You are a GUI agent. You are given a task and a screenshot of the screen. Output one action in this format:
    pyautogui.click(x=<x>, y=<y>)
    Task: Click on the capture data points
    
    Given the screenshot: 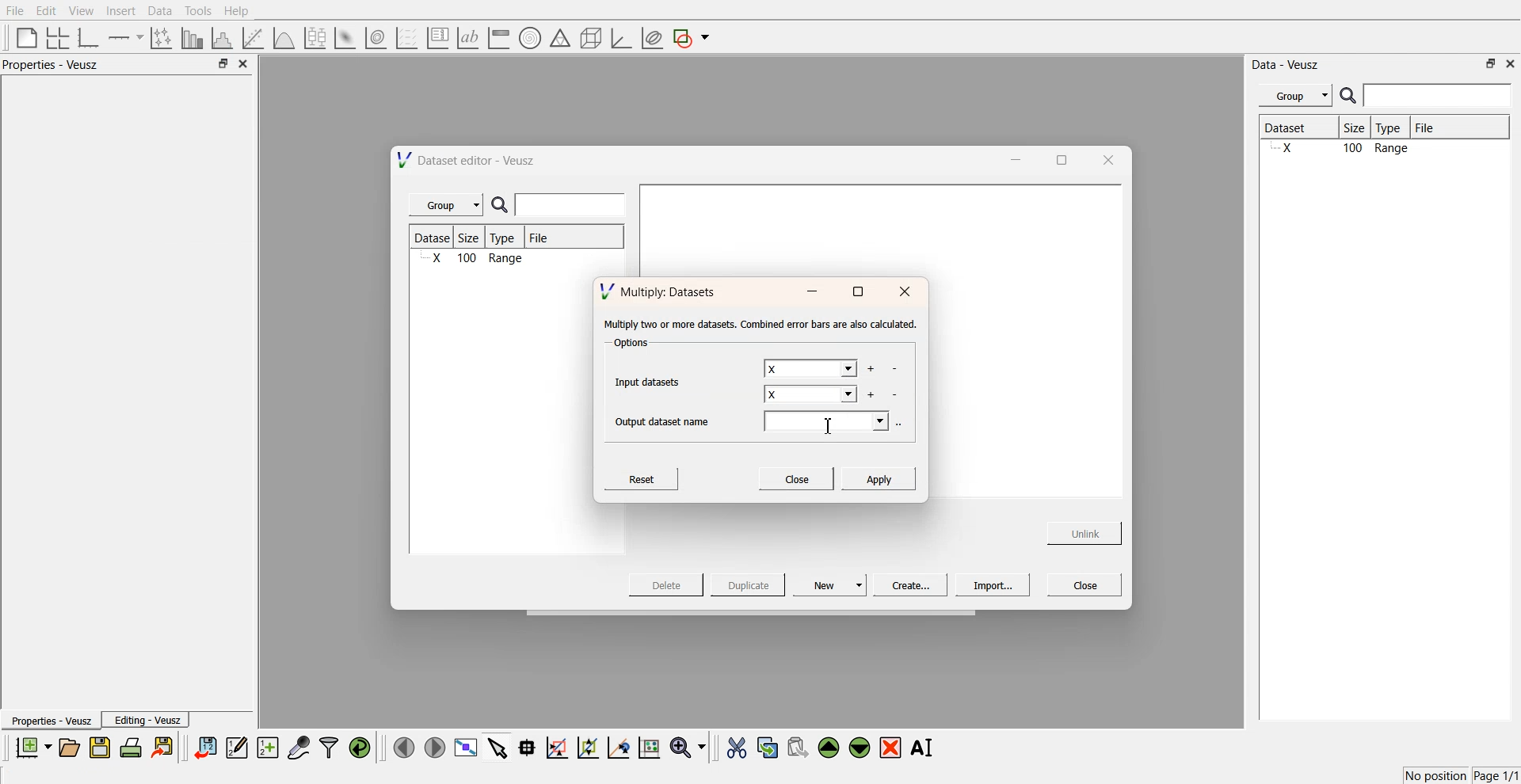 What is the action you would take?
    pyautogui.click(x=299, y=748)
    